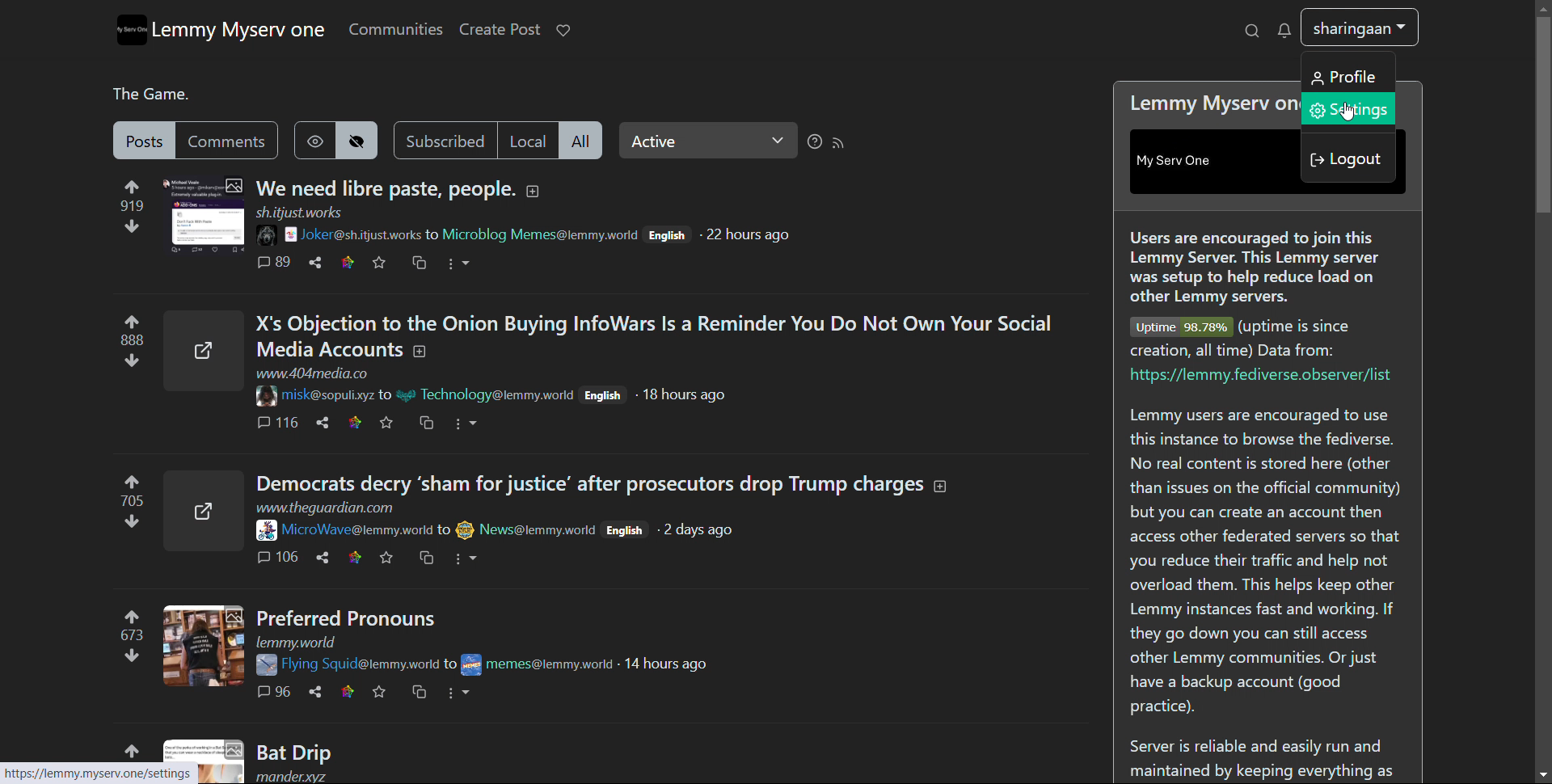  Describe the element at coordinates (1348, 76) in the screenshot. I see `profile` at that location.